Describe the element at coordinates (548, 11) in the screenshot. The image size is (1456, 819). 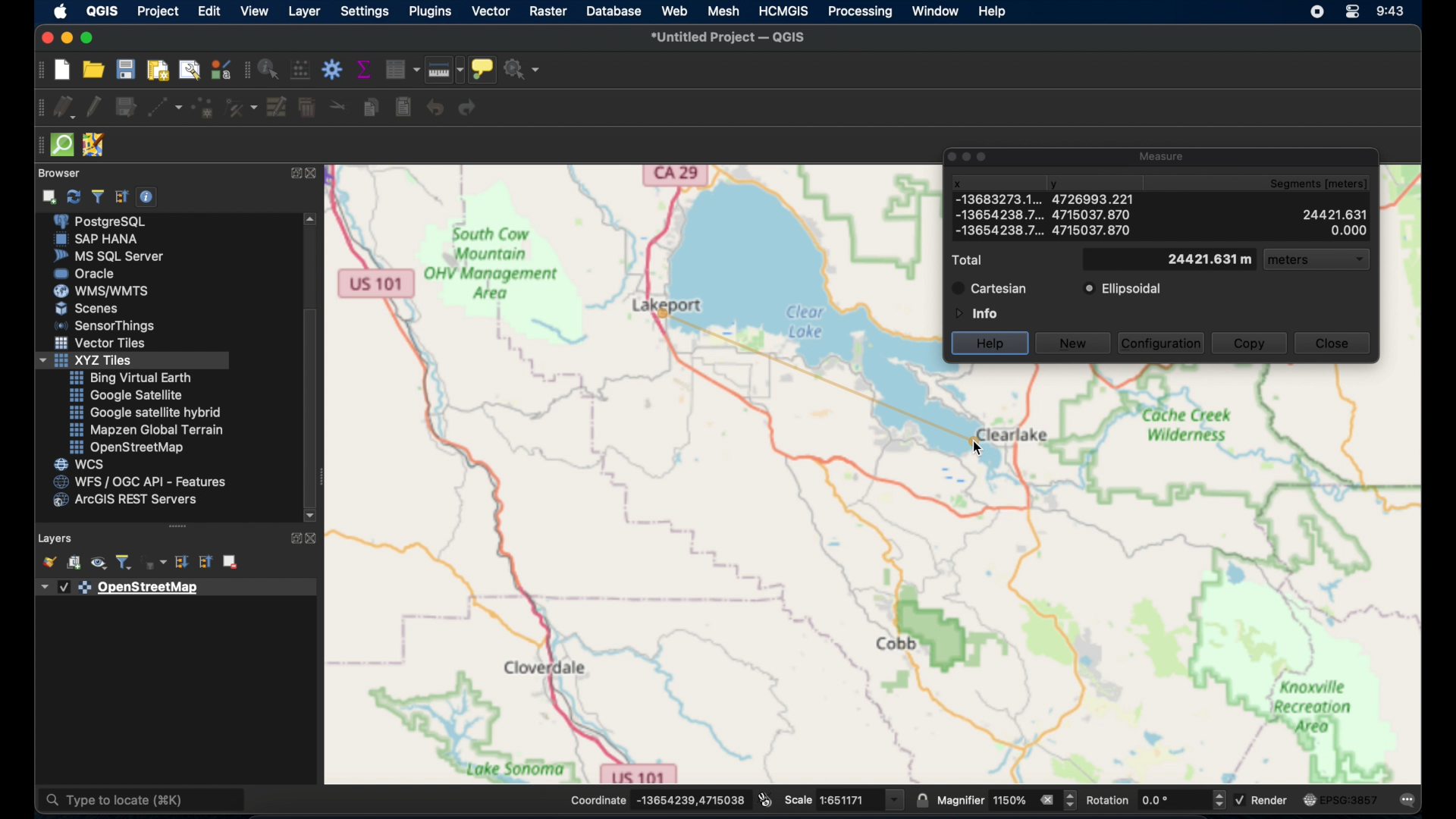
I see `raster` at that location.